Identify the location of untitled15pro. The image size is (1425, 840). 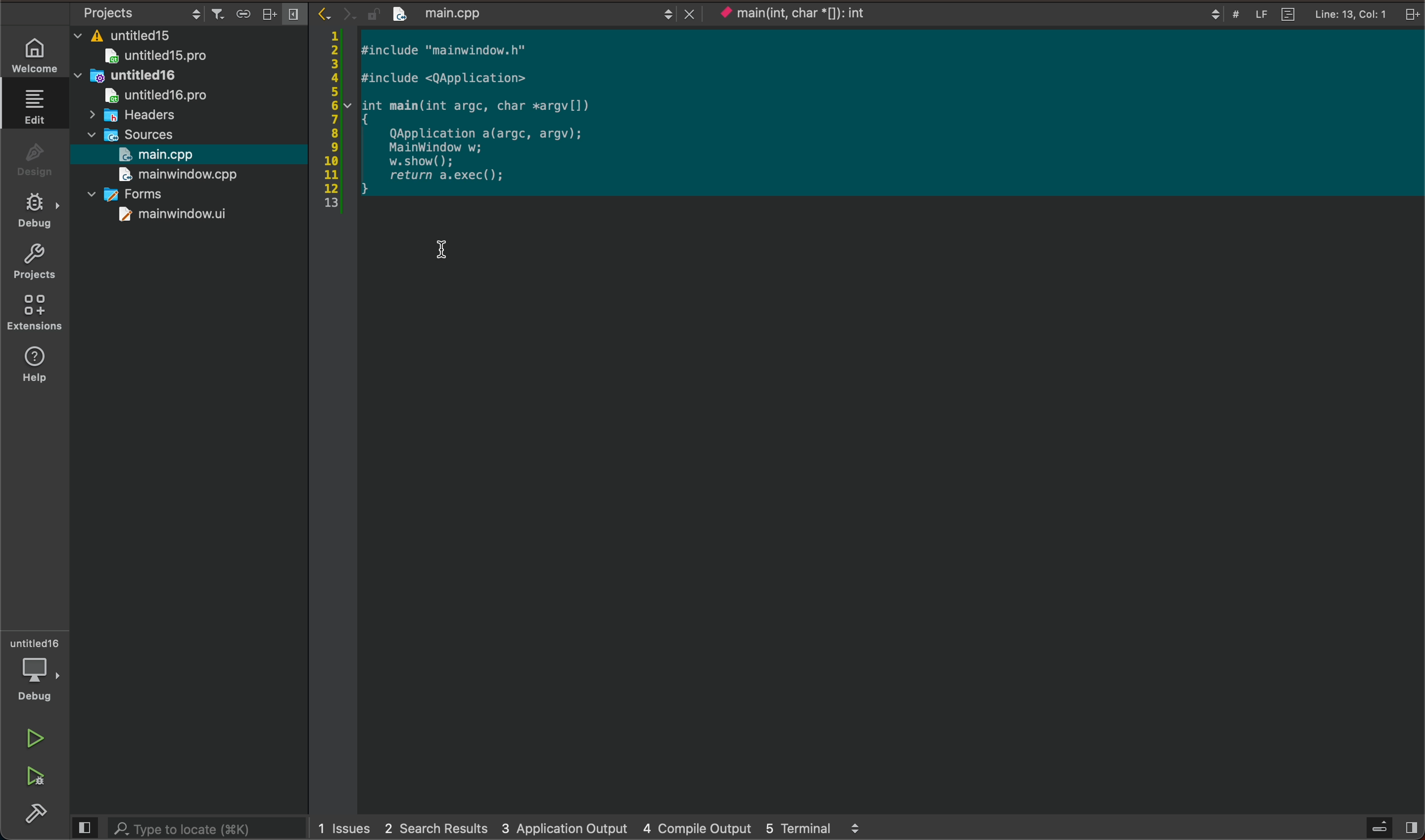
(164, 57).